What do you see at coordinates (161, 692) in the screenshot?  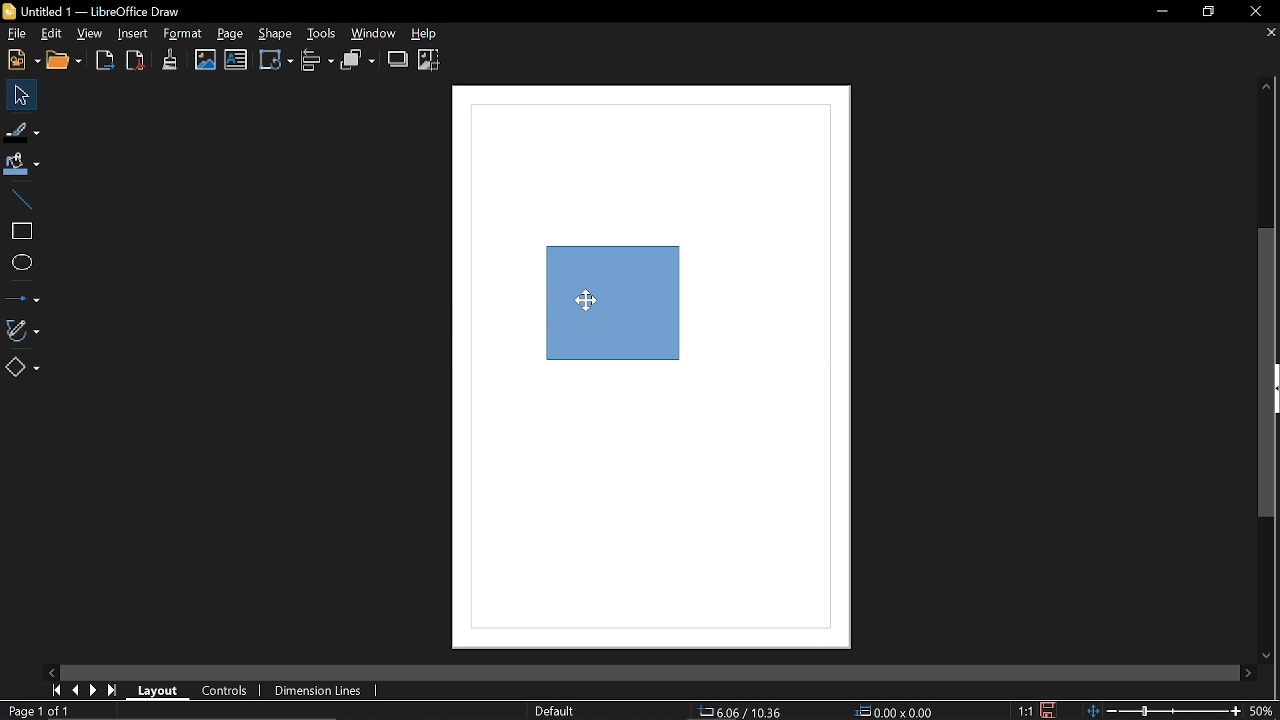 I see `Layout` at bounding box center [161, 692].